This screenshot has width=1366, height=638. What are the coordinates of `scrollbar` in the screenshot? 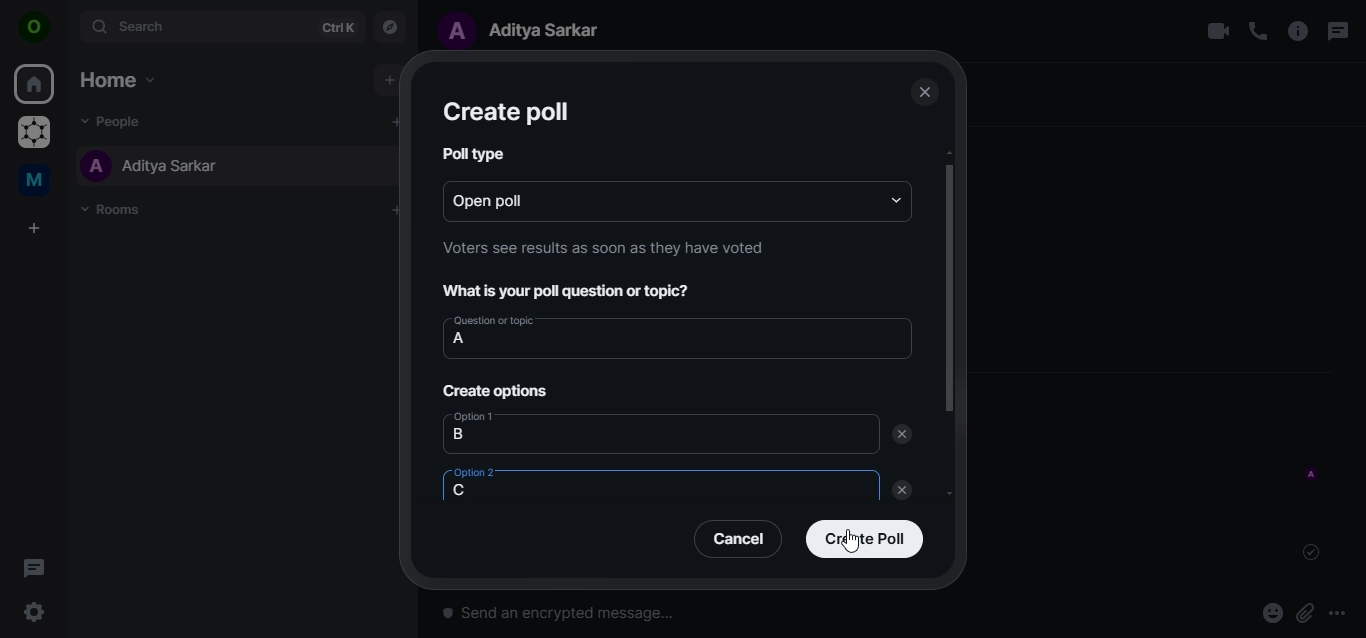 It's located at (947, 281).